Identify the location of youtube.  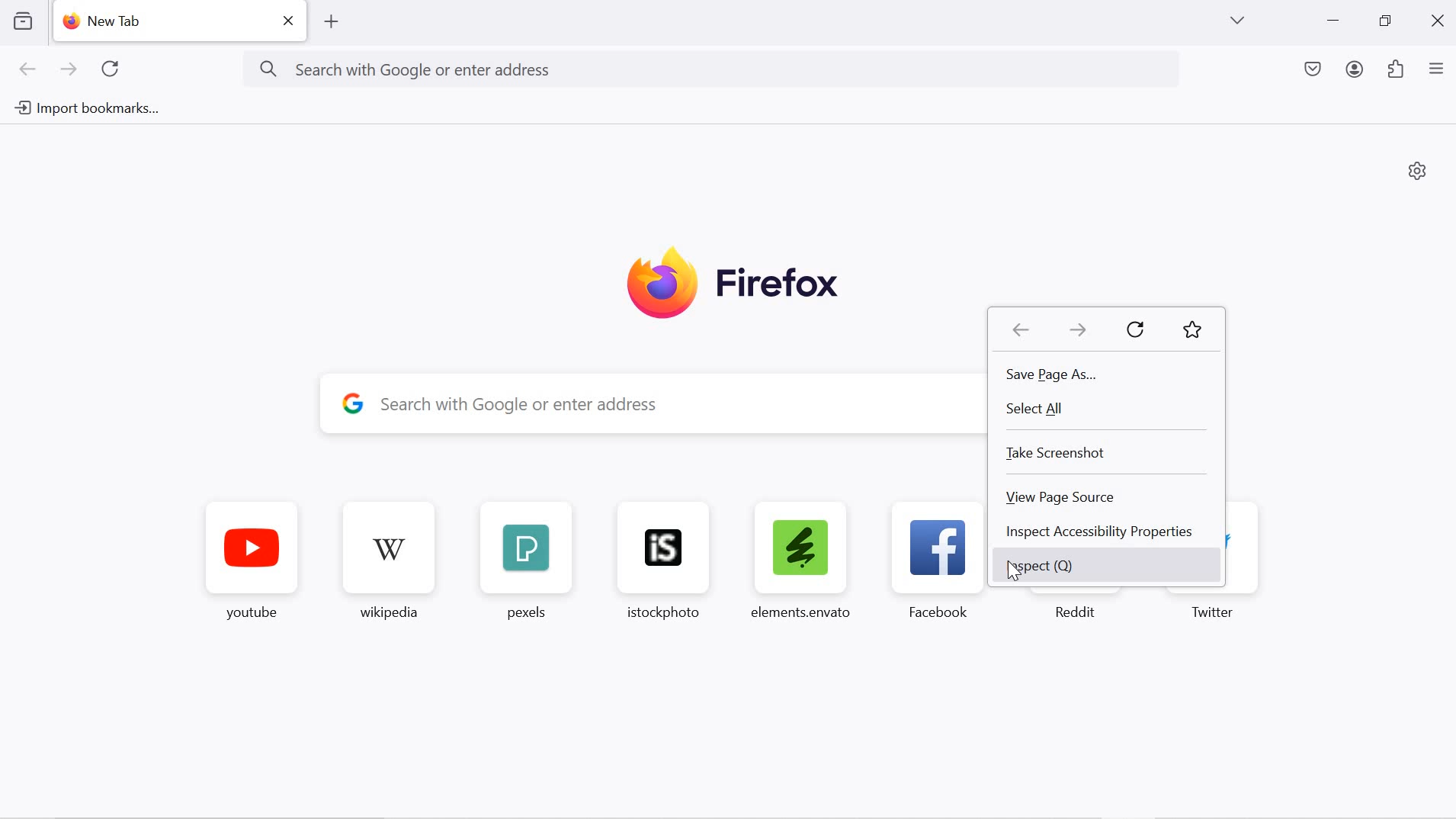
(243, 564).